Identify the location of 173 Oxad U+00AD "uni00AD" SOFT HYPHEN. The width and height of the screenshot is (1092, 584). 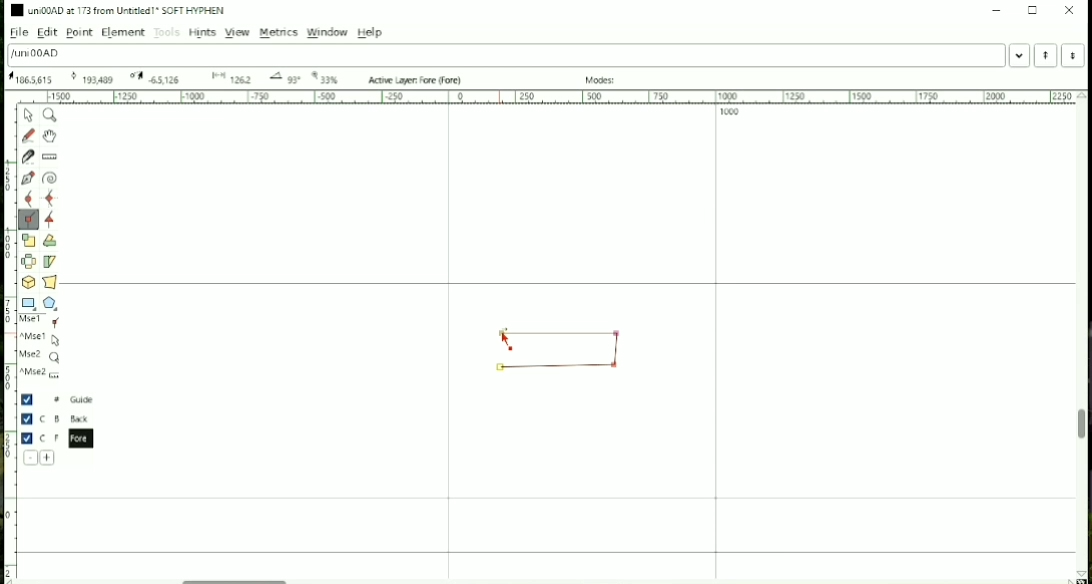
(229, 78).